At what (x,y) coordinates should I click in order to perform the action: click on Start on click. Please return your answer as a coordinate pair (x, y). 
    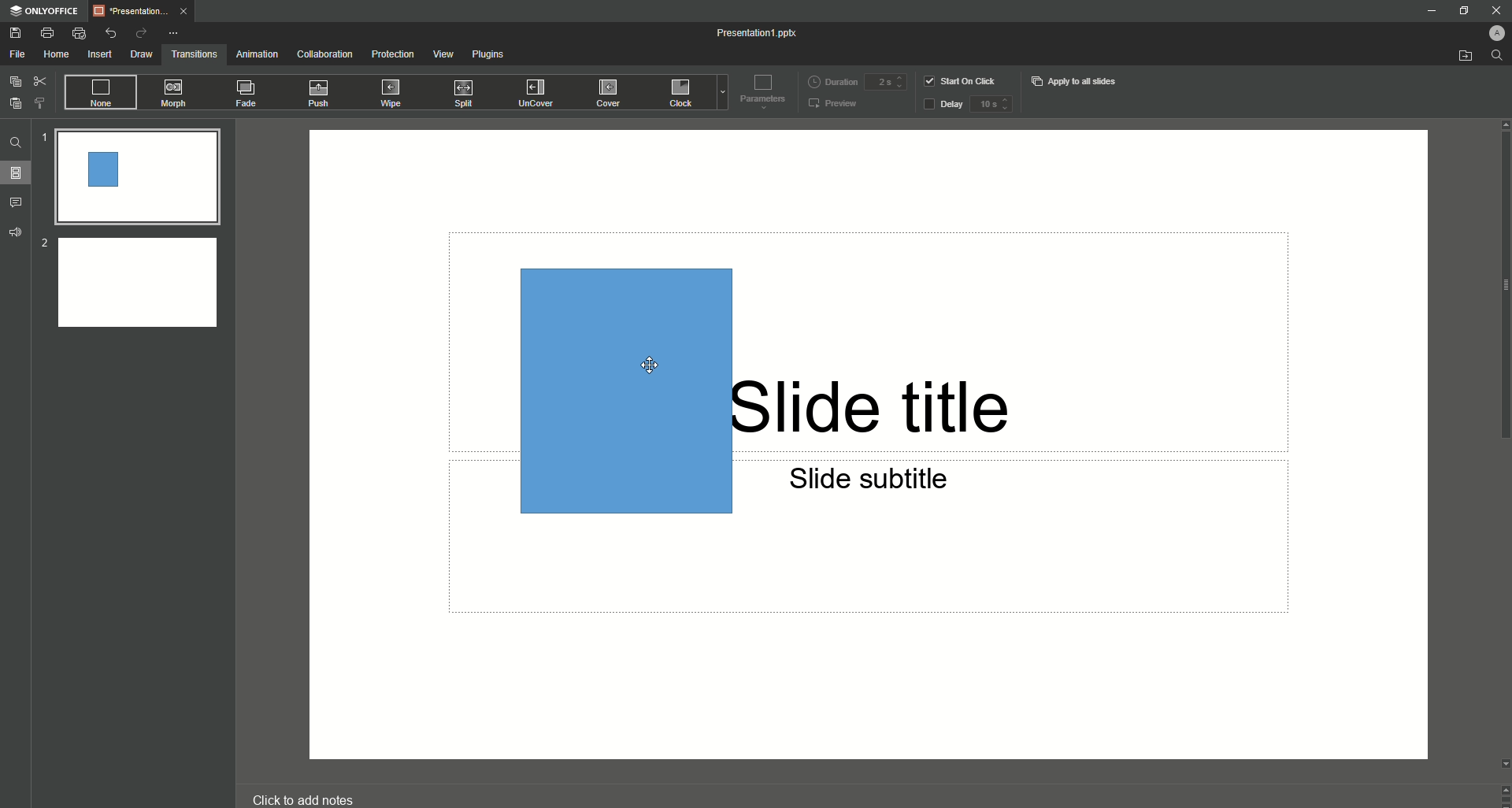
    Looking at the image, I should click on (962, 80).